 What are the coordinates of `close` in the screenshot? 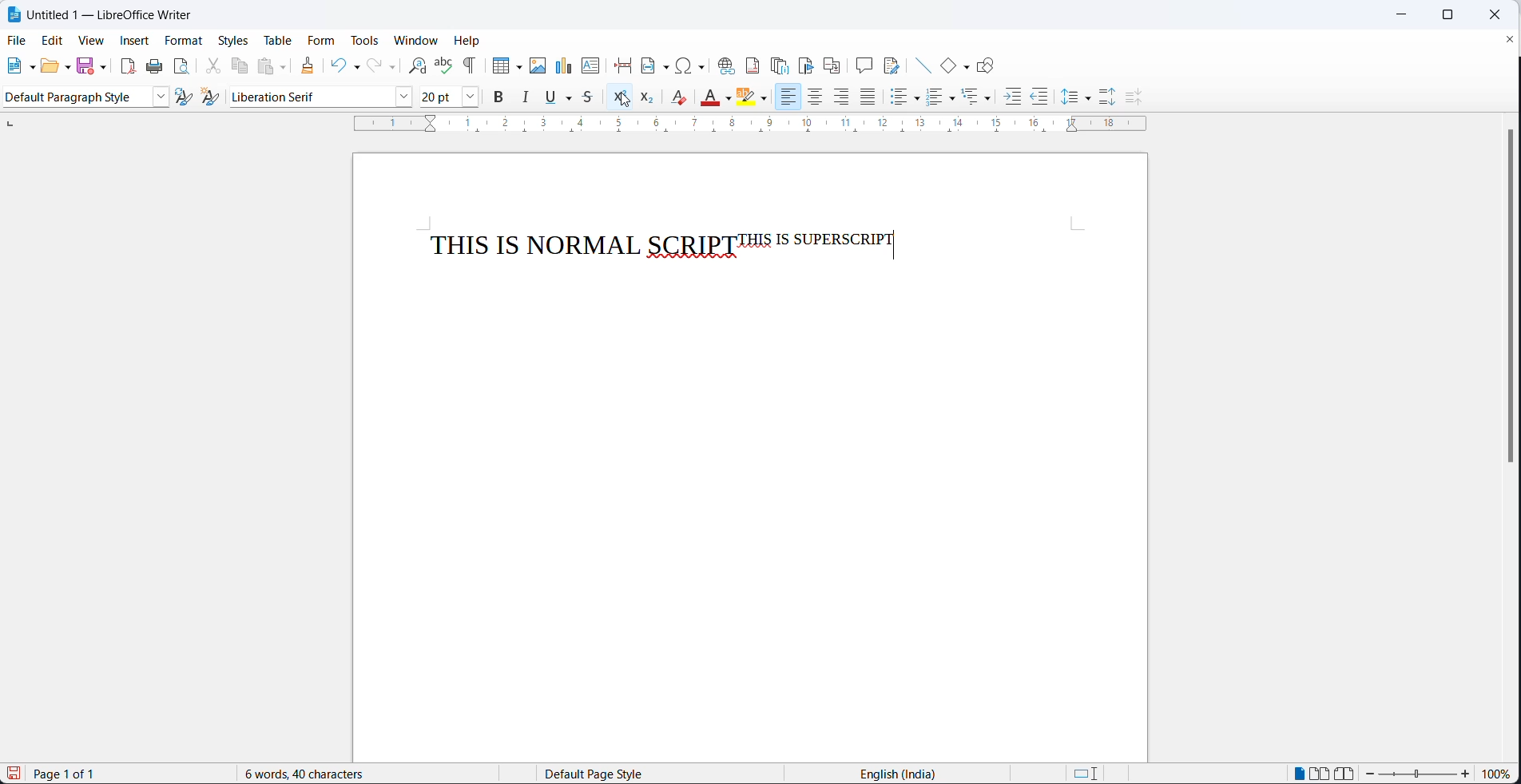 It's located at (1494, 16).